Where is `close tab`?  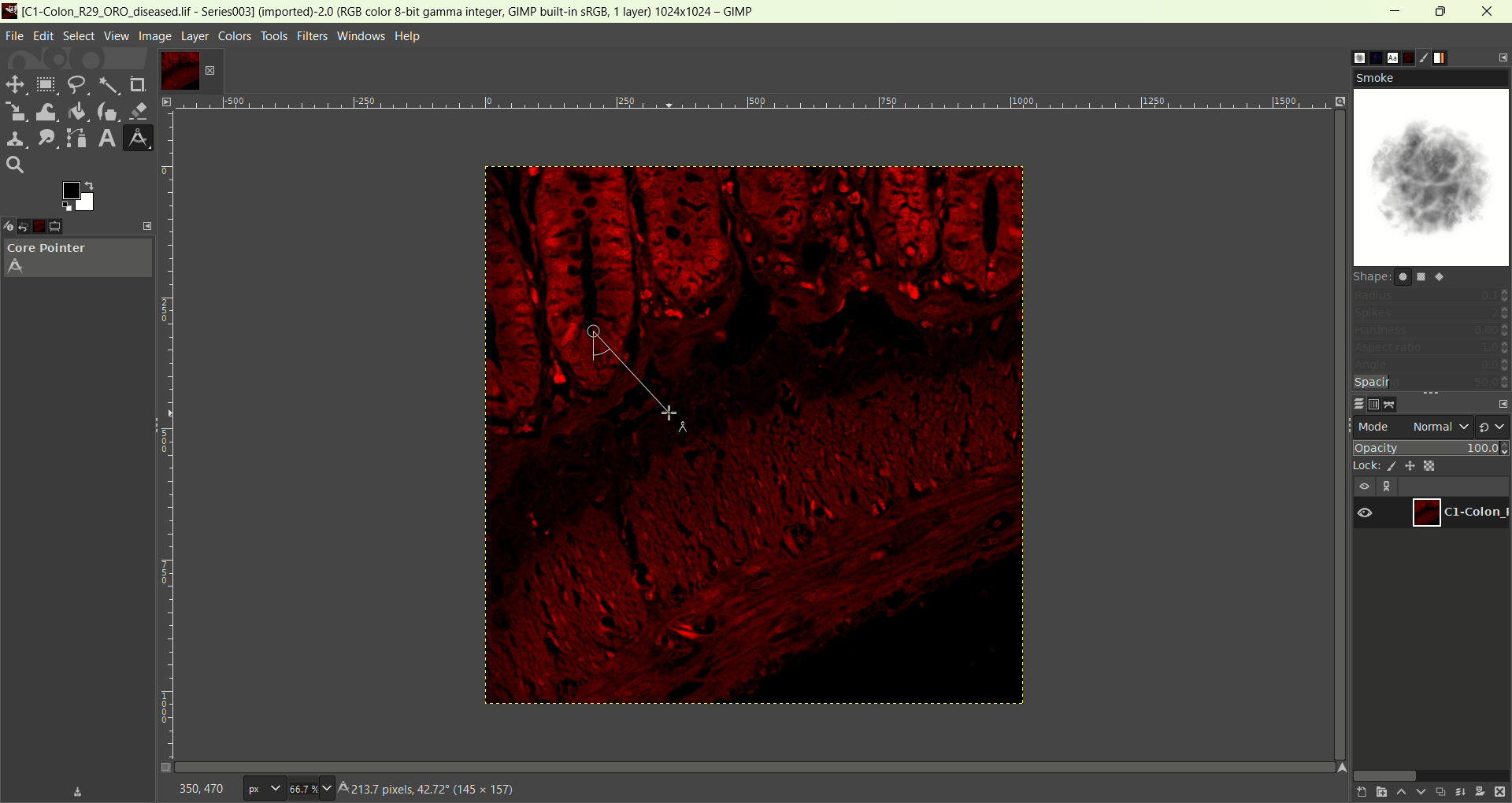
close tab is located at coordinates (209, 71).